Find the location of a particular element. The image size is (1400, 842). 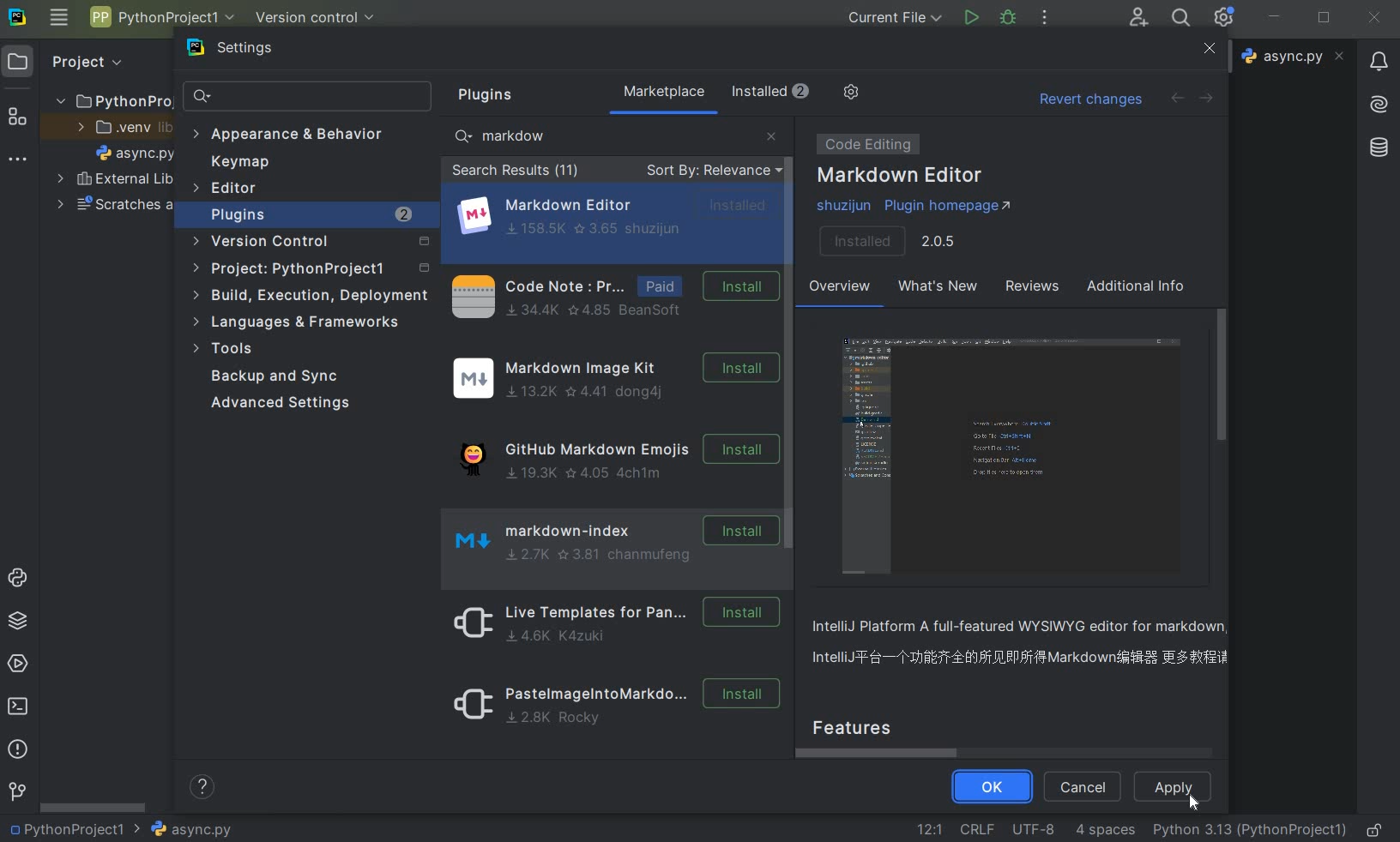

database is located at coordinates (1378, 148).